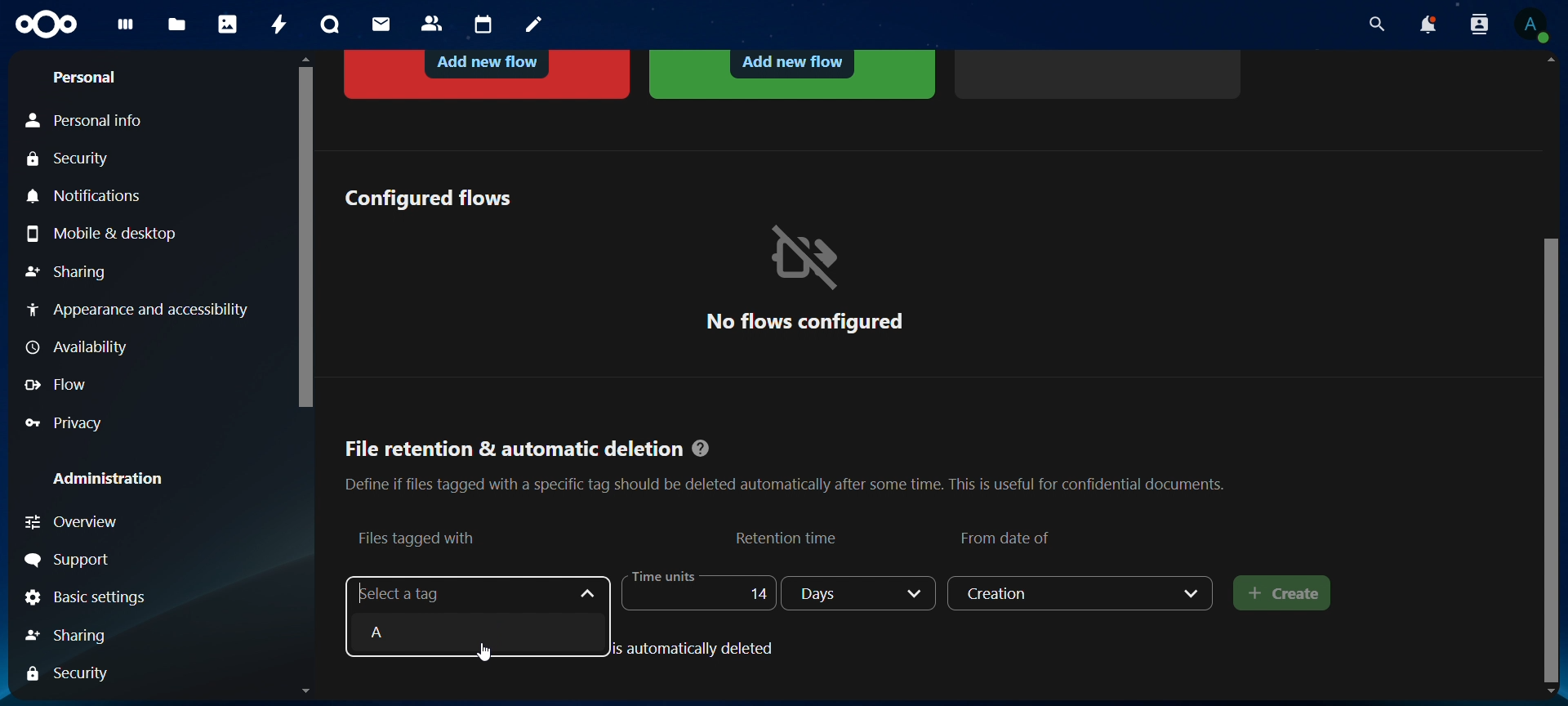 The width and height of the screenshot is (1568, 706). Describe the element at coordinates (413, 593) in the screenshot. I see `select a tag` at that location.